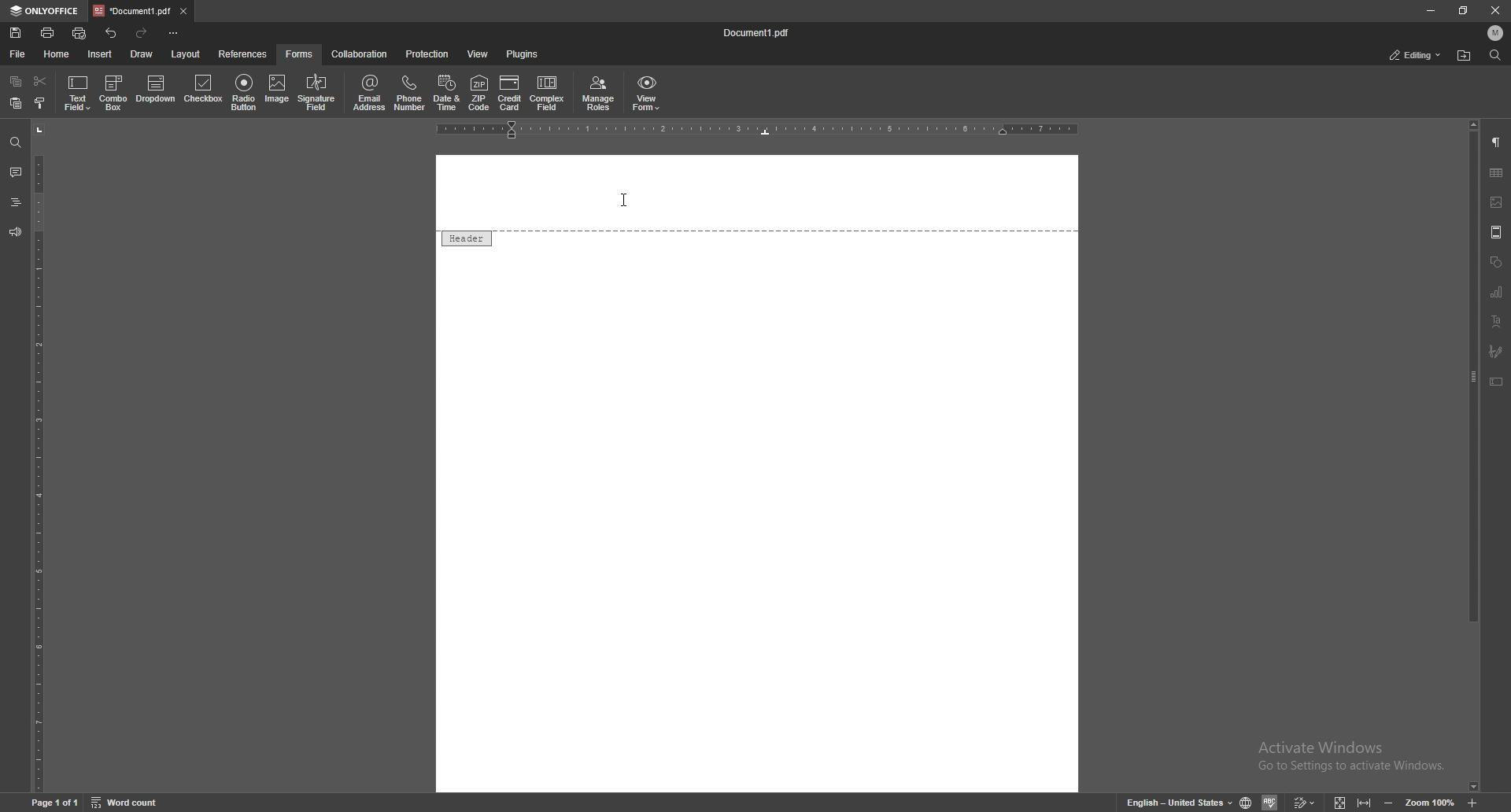 The width and height of the screenshot is (1511, 812). What do you see at coordinates (1495, 55) in the screenshot?
I see `find` at bounding box center [1495, 55].